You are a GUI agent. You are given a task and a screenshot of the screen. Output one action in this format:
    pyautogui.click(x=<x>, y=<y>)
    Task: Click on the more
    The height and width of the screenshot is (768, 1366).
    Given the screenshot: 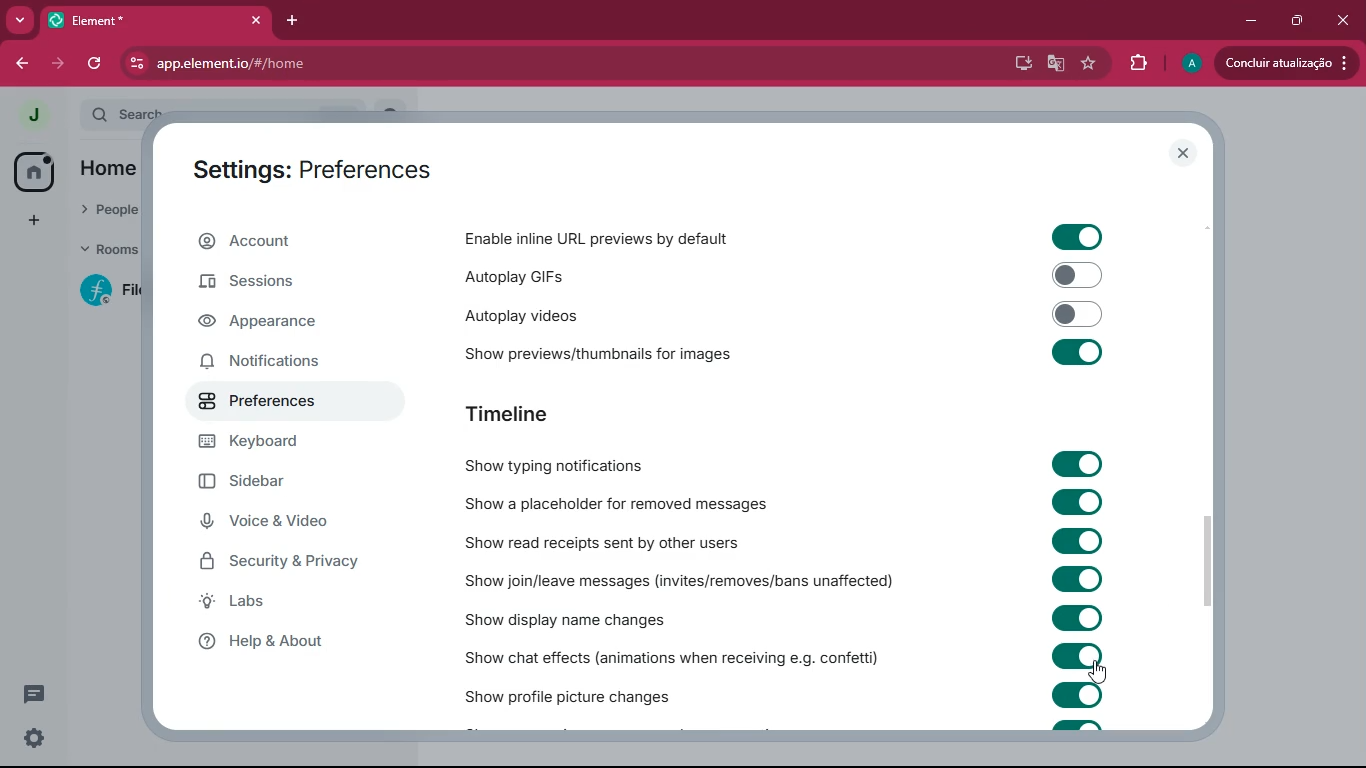 What is the action you would take?
    pyautogui.click(x=32, y=218)
    